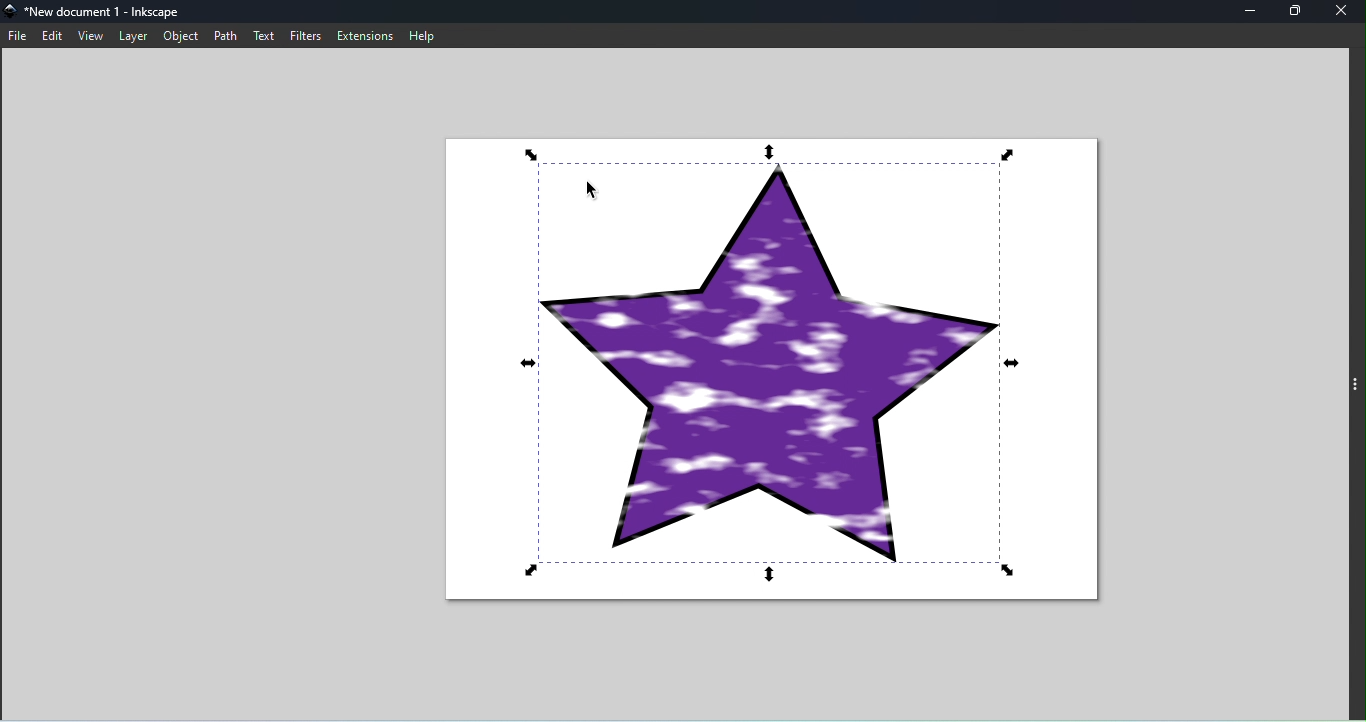 Image resolution: width=1366 pixels, height=722 pixels. What do you see at coordinates (592, 190) in the screenshot?
I see `Cursor` at bounding box center [592, 190].